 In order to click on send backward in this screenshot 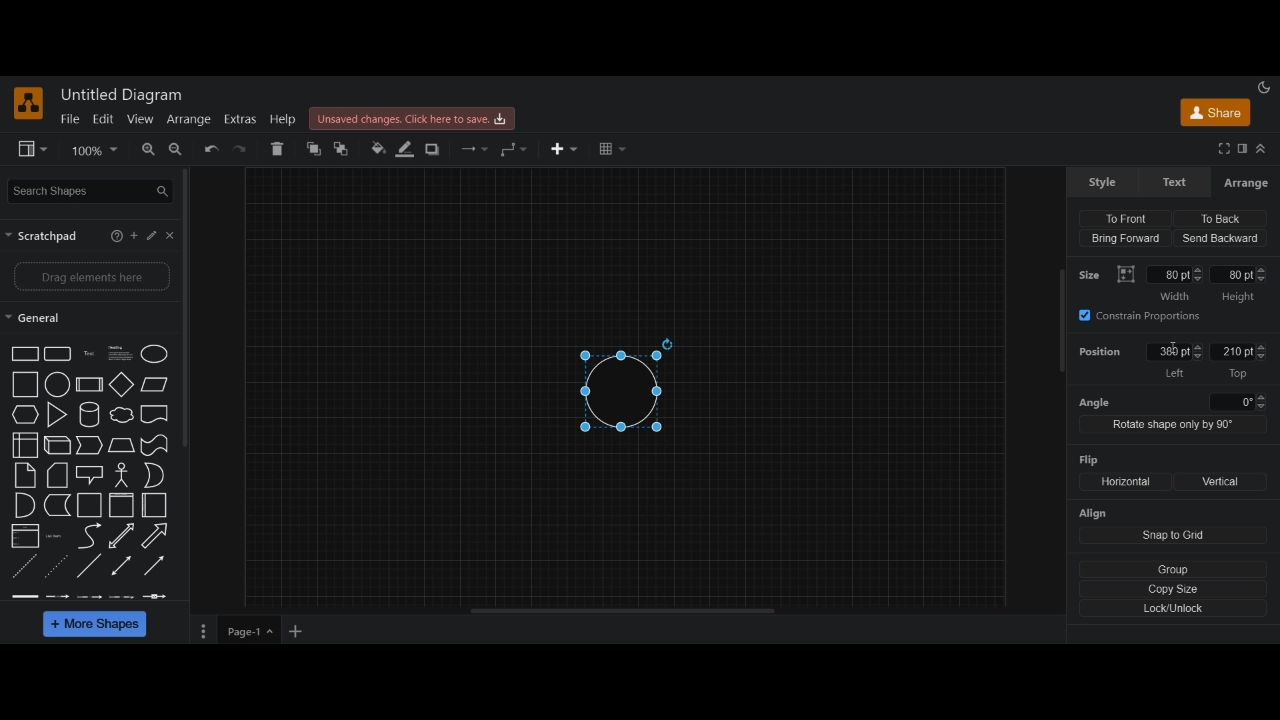, I will do `click(1221, 238)`.